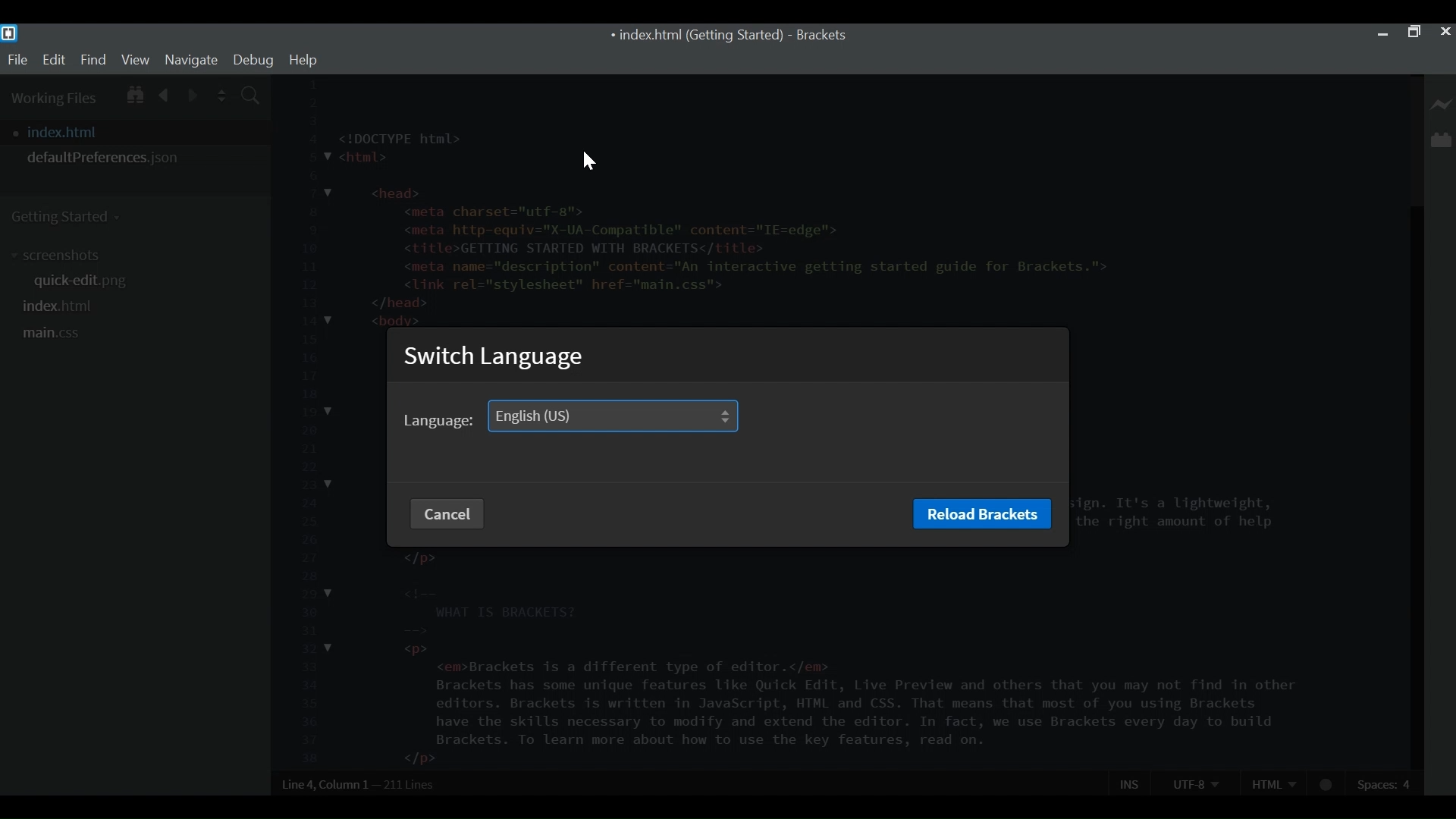 This screenshot has width=1456, height=819. Describe the element at coordinates (440, 422) in the screenshot. I see `language` at that location.